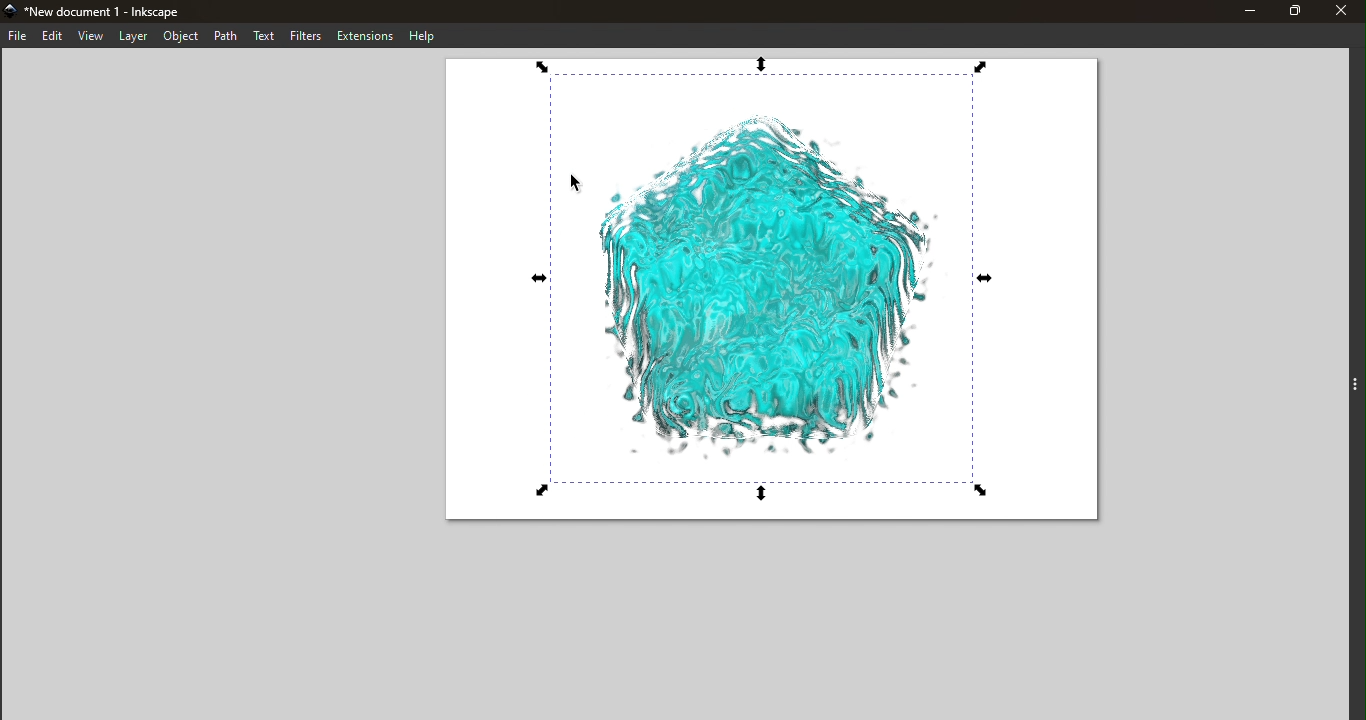  What do you see at coordinates (1345, 10) in the screenshot?
I see `Close` at bounding box center [1345, 10].